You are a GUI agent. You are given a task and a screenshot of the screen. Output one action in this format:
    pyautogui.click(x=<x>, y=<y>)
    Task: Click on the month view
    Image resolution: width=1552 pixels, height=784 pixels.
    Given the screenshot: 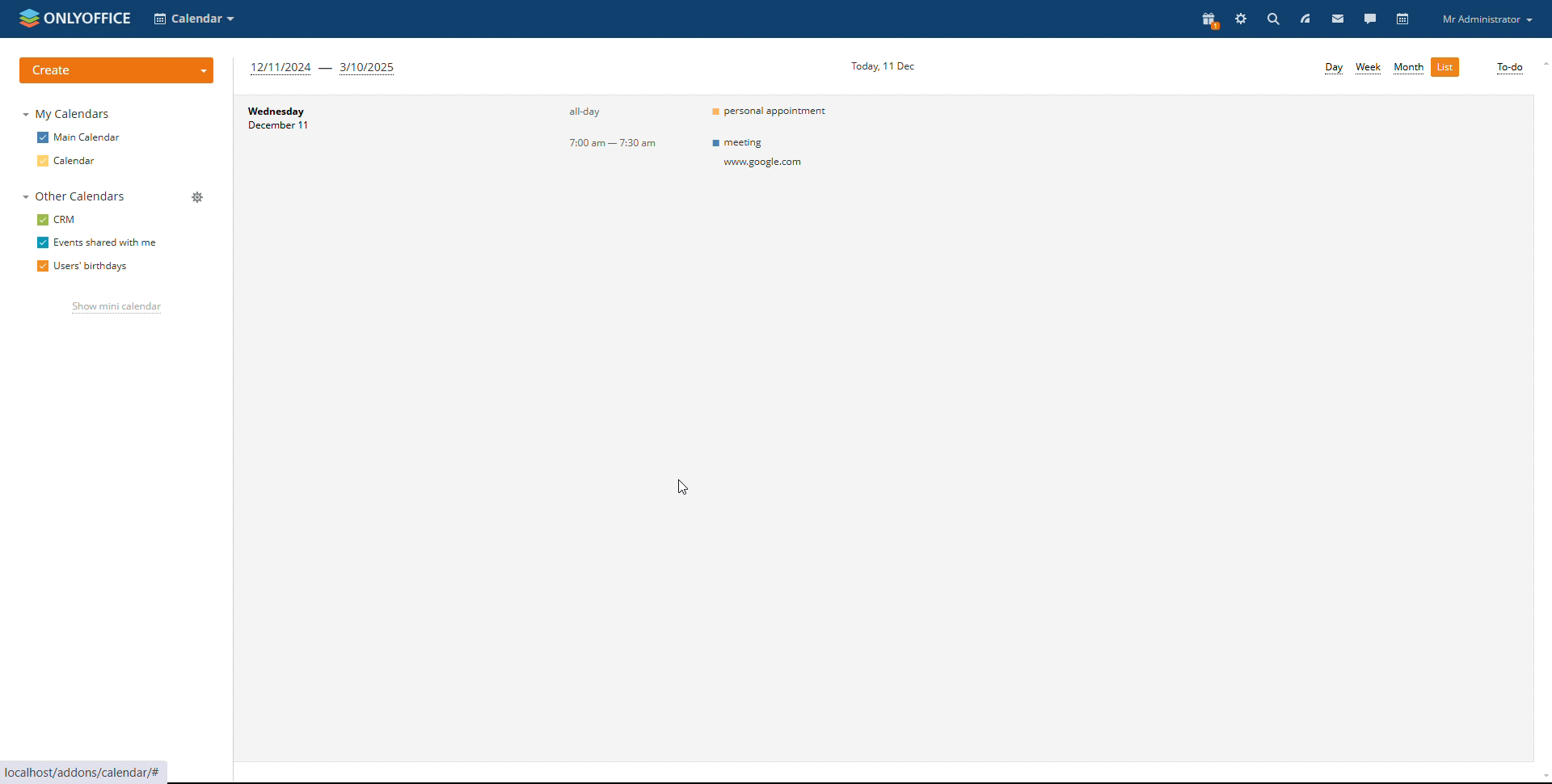 What is the action you would take?
    pyautogui.click(x=1407, y=68)
    